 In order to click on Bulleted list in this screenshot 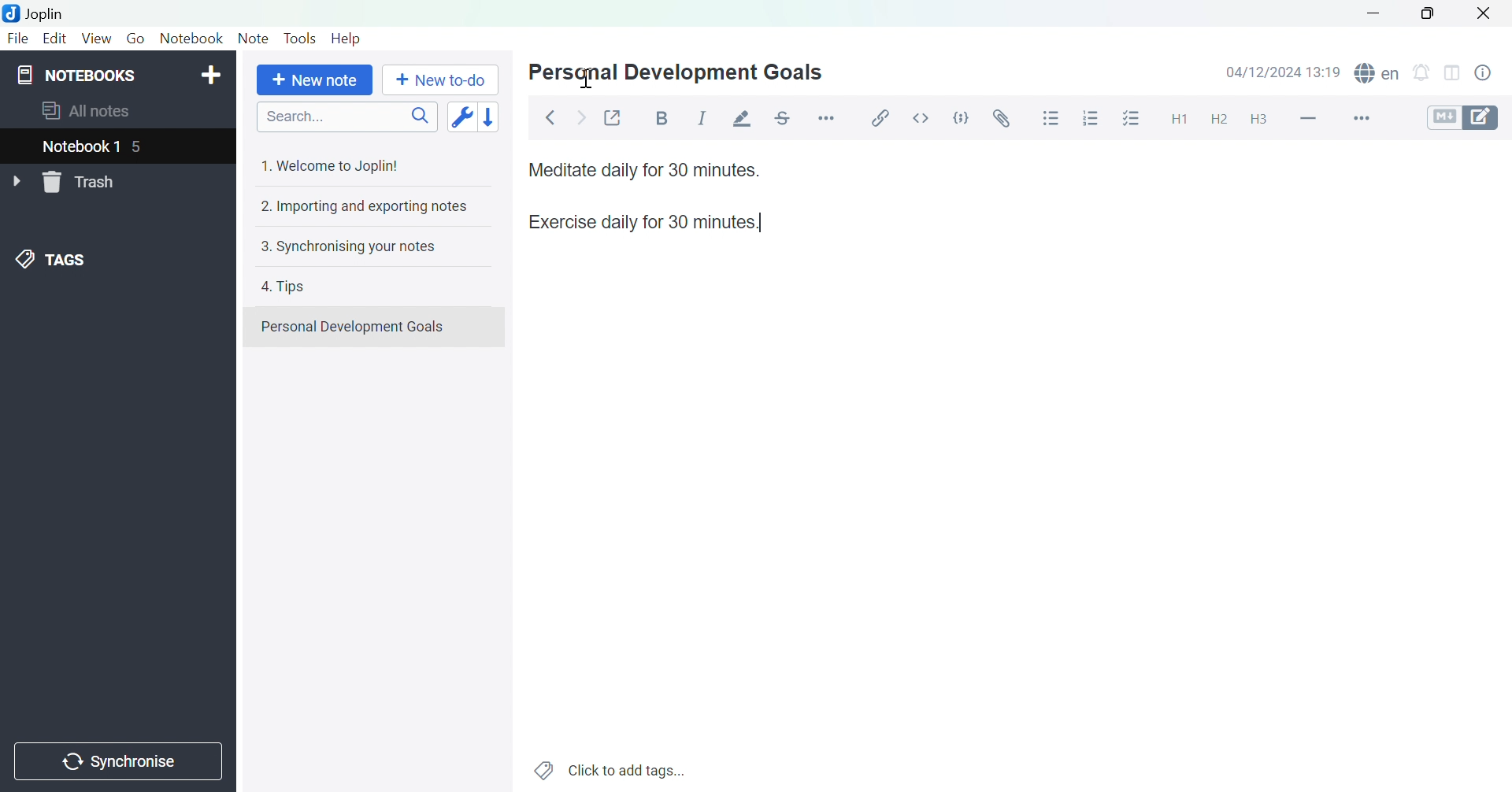, I will do `click(1052, 120)`.